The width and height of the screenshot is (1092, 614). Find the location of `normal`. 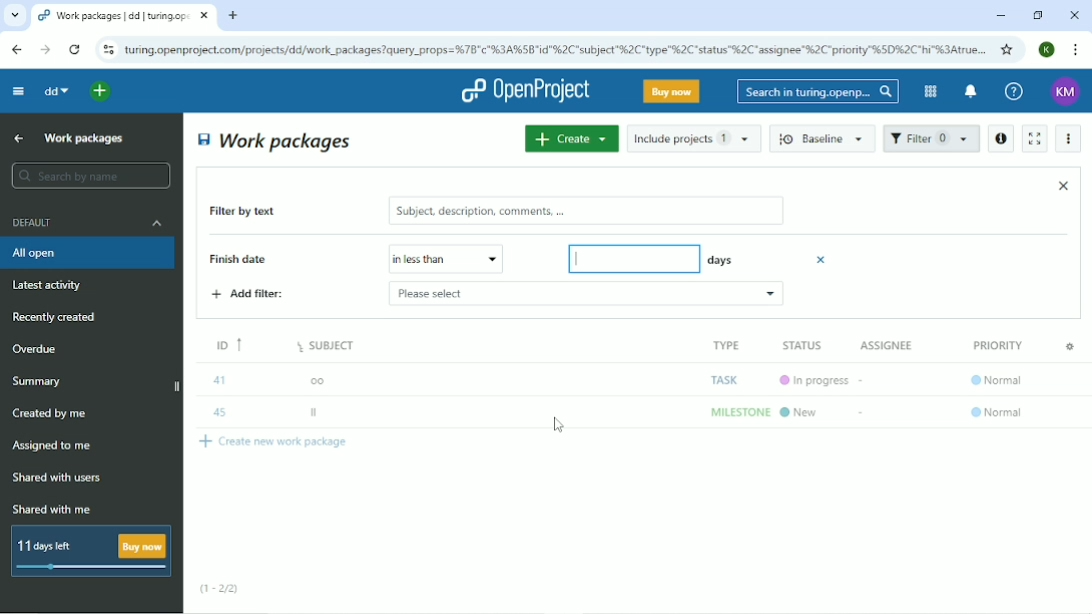

normal is located at coordinates (997, 417).